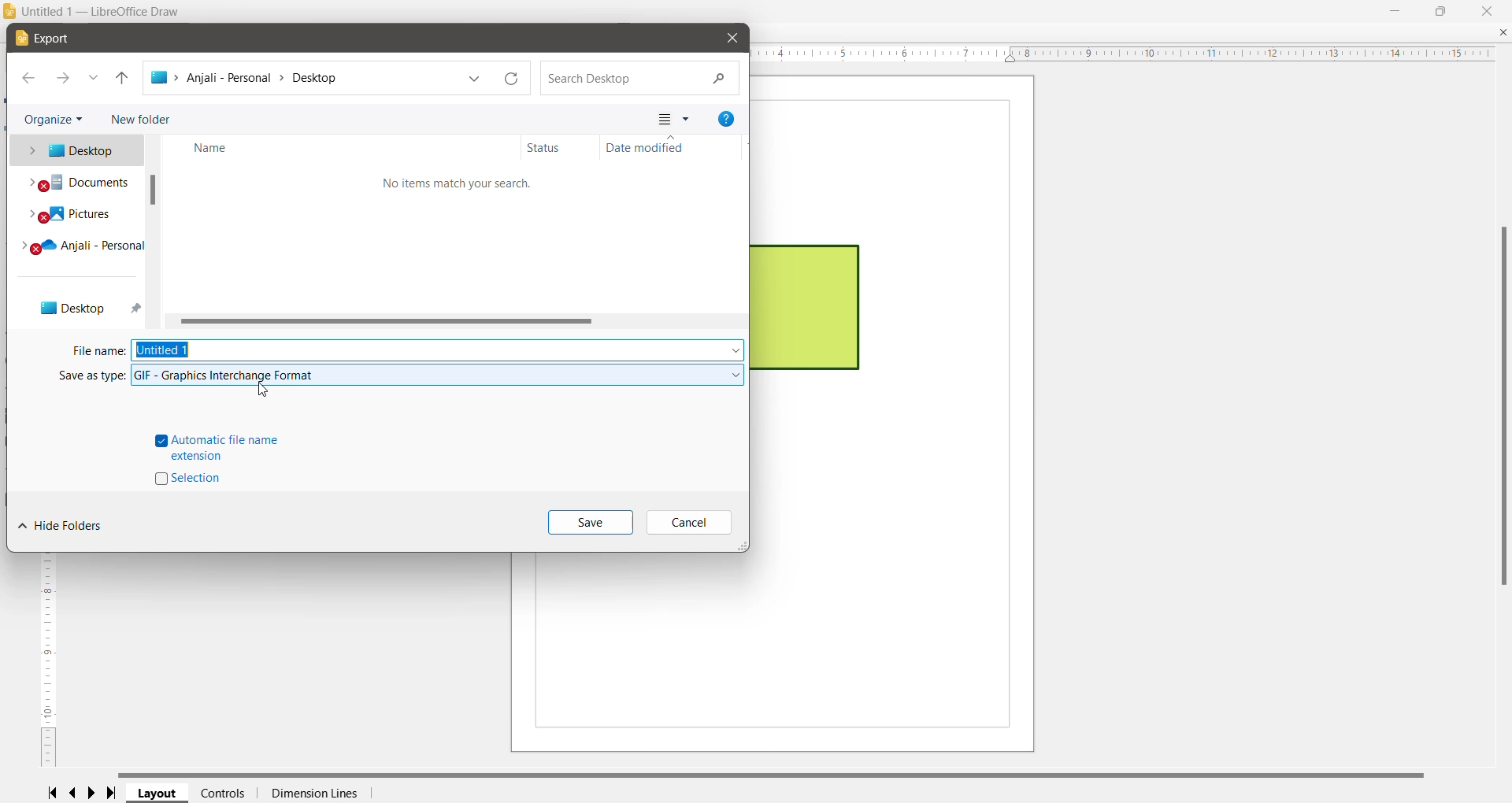  What do you see at coordinates (313, 794) in the screenshot?
I see `Dimension Lines` at bounding box center [313, 794].